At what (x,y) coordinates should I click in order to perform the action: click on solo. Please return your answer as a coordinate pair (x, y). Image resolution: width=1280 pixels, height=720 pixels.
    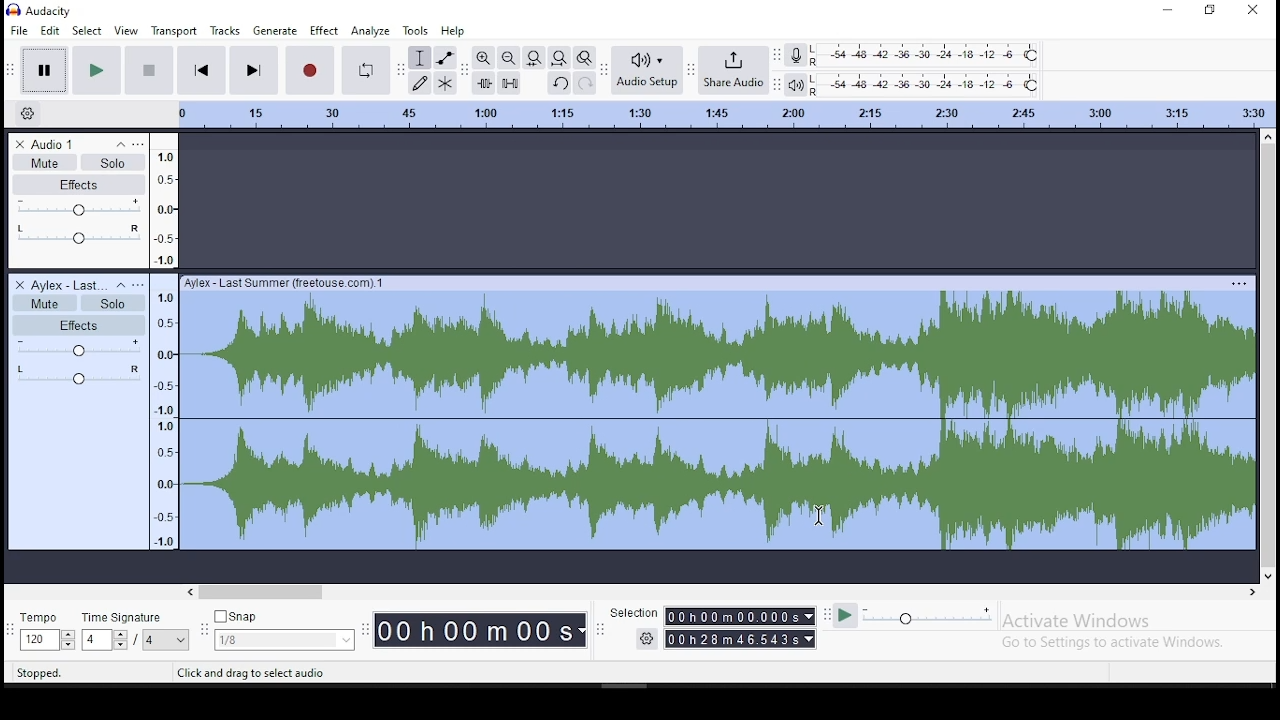
    Looking at the image, I should click on (116, 163).